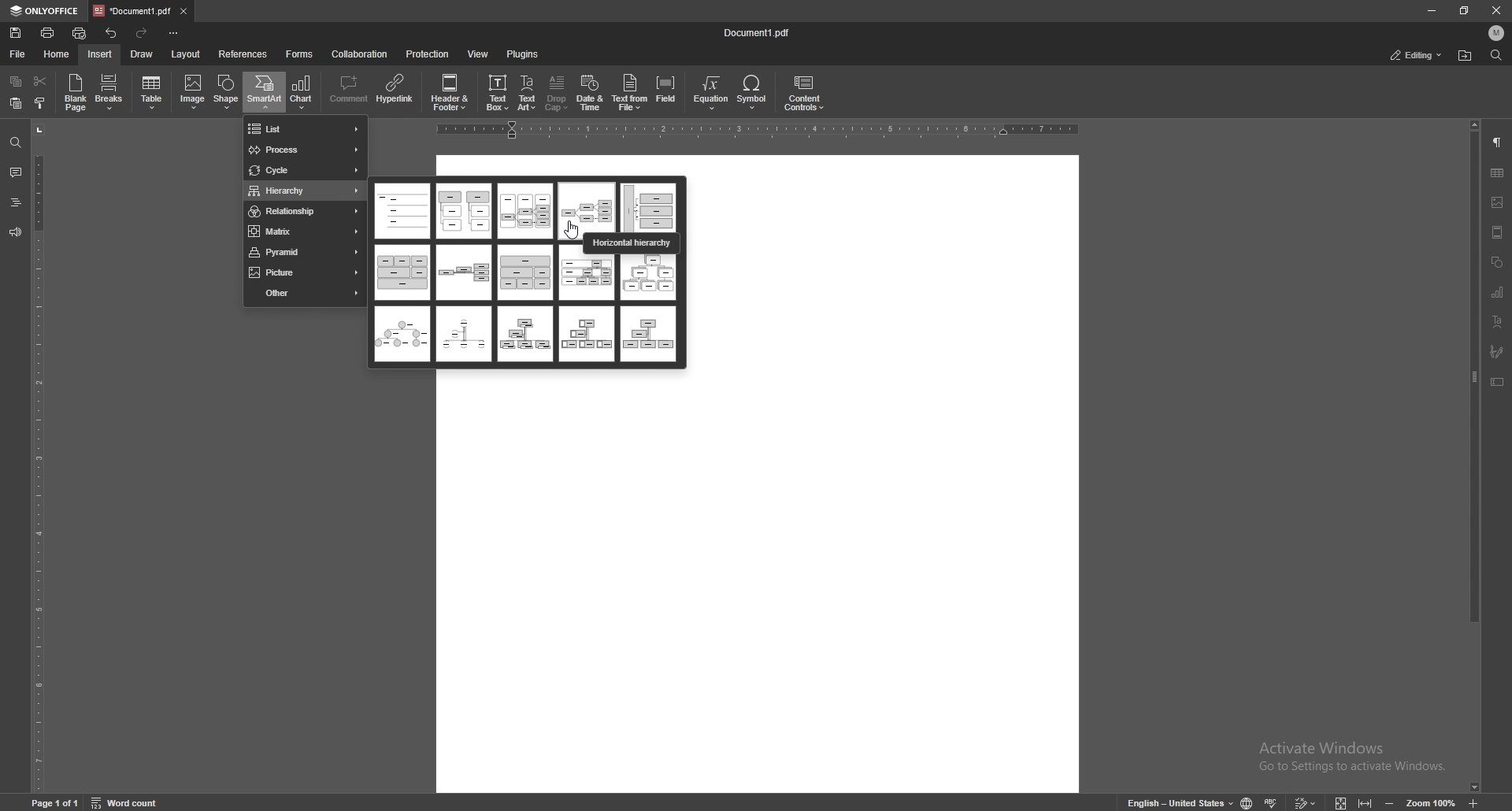 Image resolution: width=1512 pixels, height=811 pixels. I want to click on hierarchy smart art, so click(524, 212).